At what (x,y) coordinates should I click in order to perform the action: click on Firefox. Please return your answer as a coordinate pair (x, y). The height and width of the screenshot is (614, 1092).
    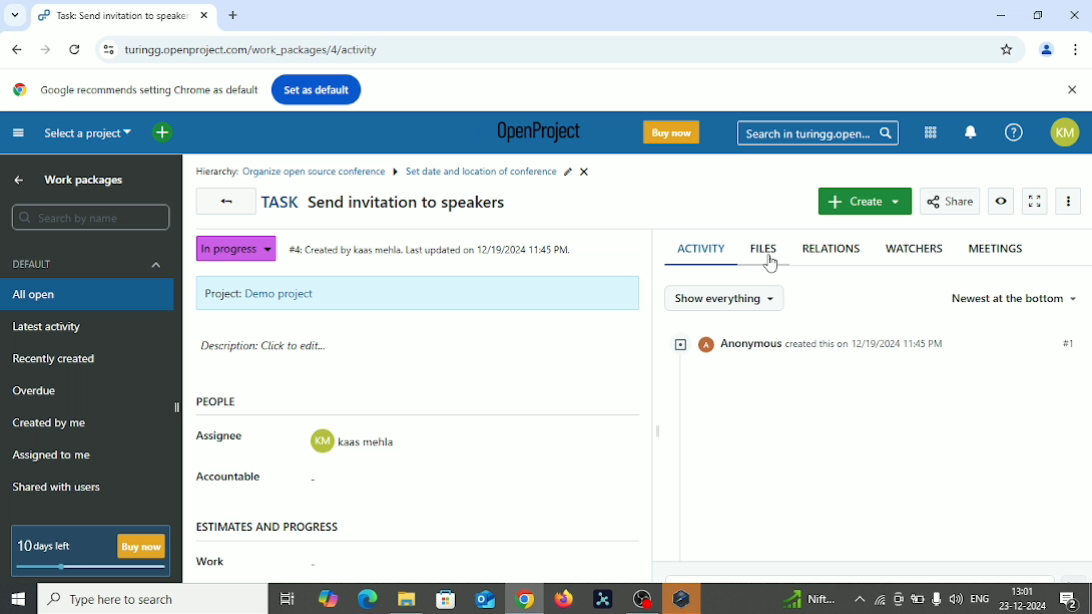
    Looking at the image, I should click on (563, 599).